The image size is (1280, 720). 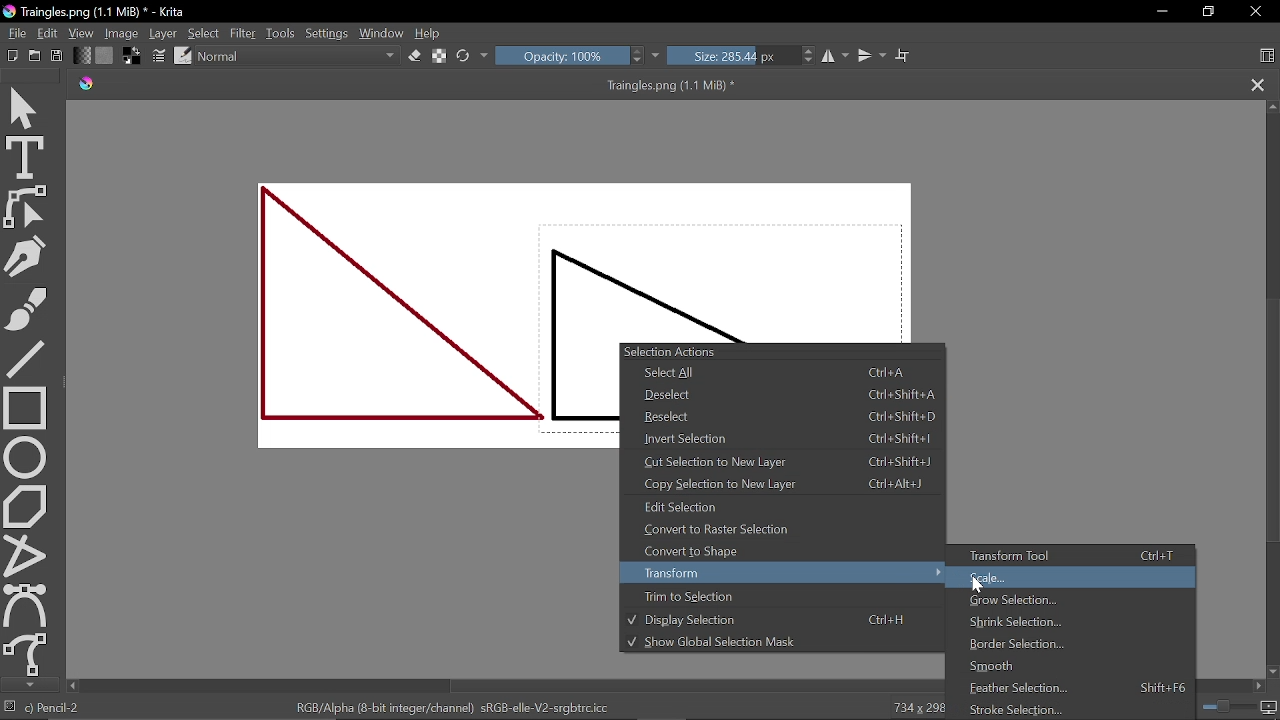 What do you see at coordinates (164, 33) in the screenshot?
I see `Layer` at bounding box center [164, 33].